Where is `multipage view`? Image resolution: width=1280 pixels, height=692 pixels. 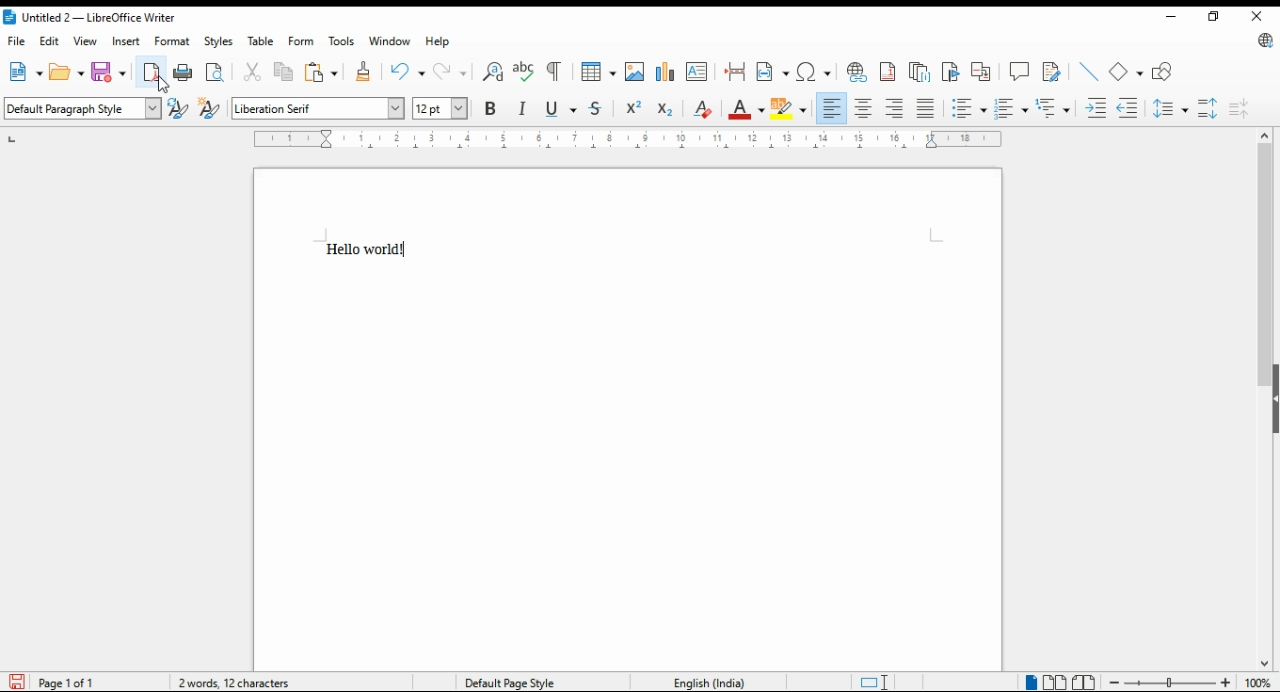 multipage view is located at coordinates (1056, 682).